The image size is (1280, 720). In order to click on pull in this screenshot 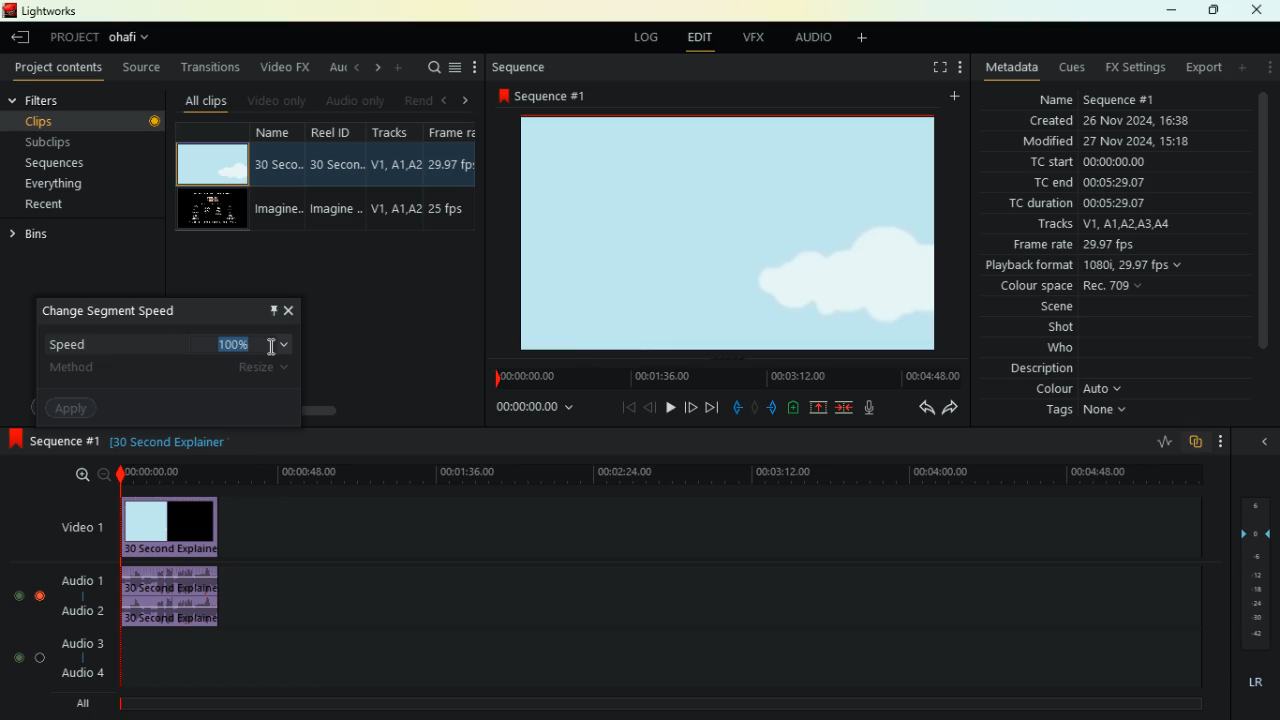, I will do `click(734, 408)`.